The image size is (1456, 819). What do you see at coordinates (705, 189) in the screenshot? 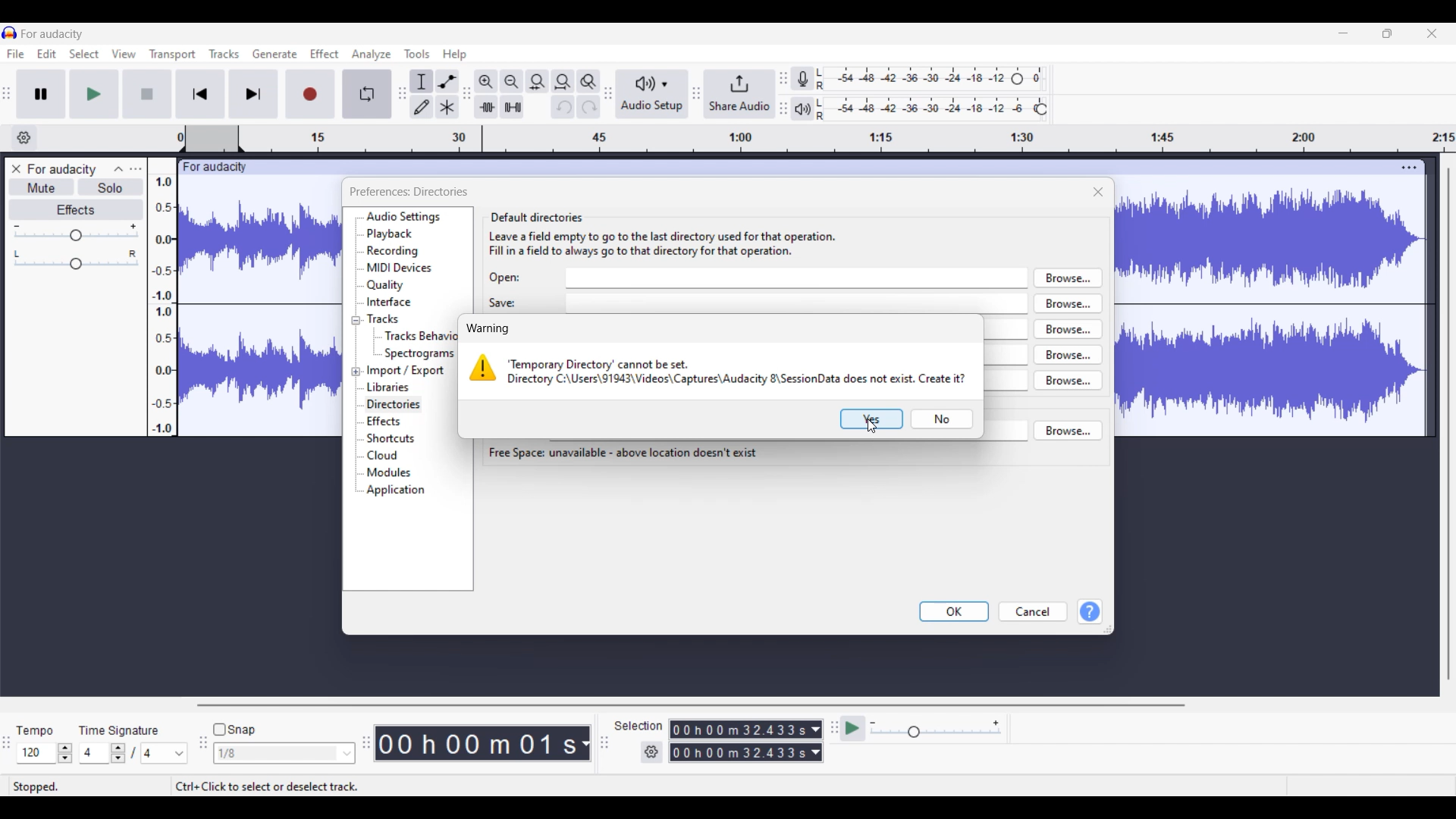
I see `default directories` at bounding box center [705, 189].